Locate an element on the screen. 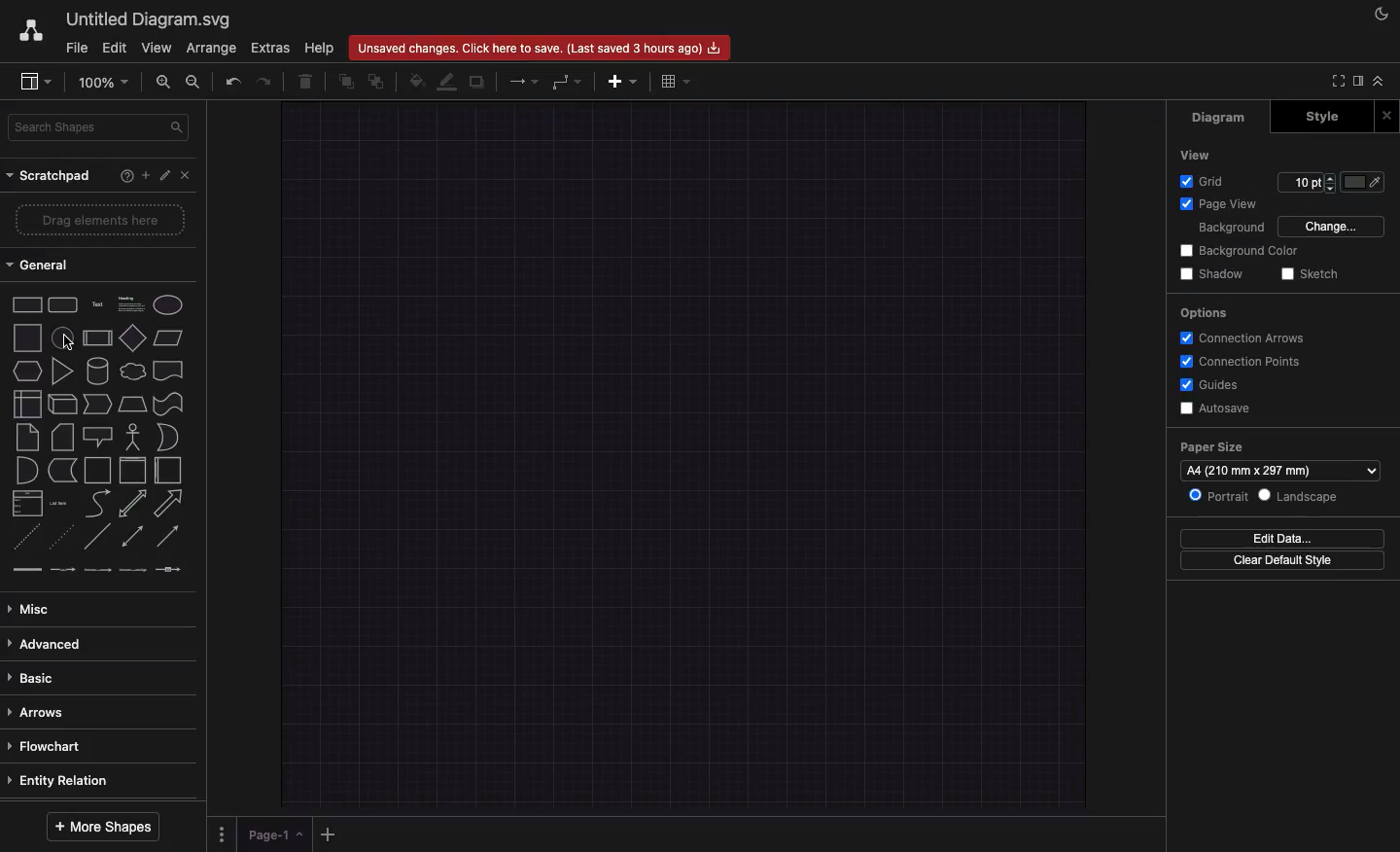  Add is located at coordinates (332, 833).